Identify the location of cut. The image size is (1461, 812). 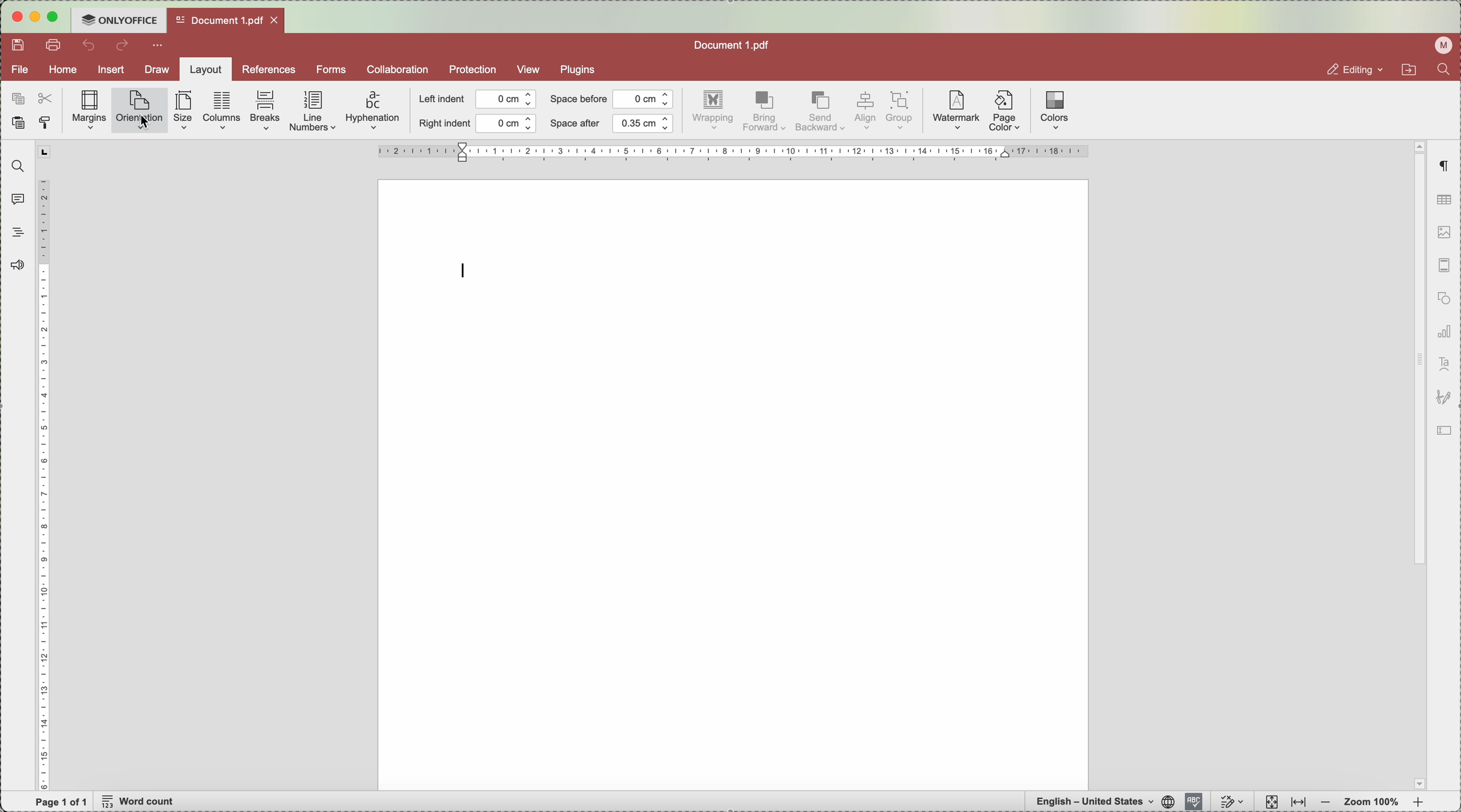
(48, 97).